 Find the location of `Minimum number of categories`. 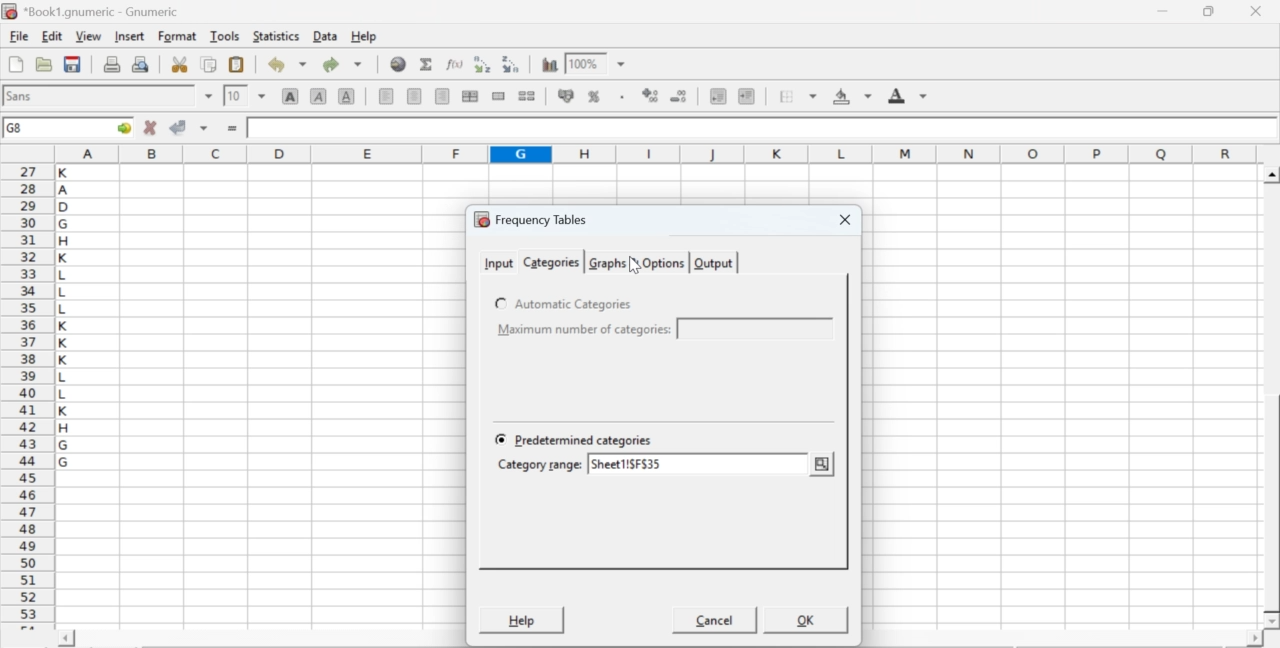

Minimum number of categories is located at coordinates (600, 330).